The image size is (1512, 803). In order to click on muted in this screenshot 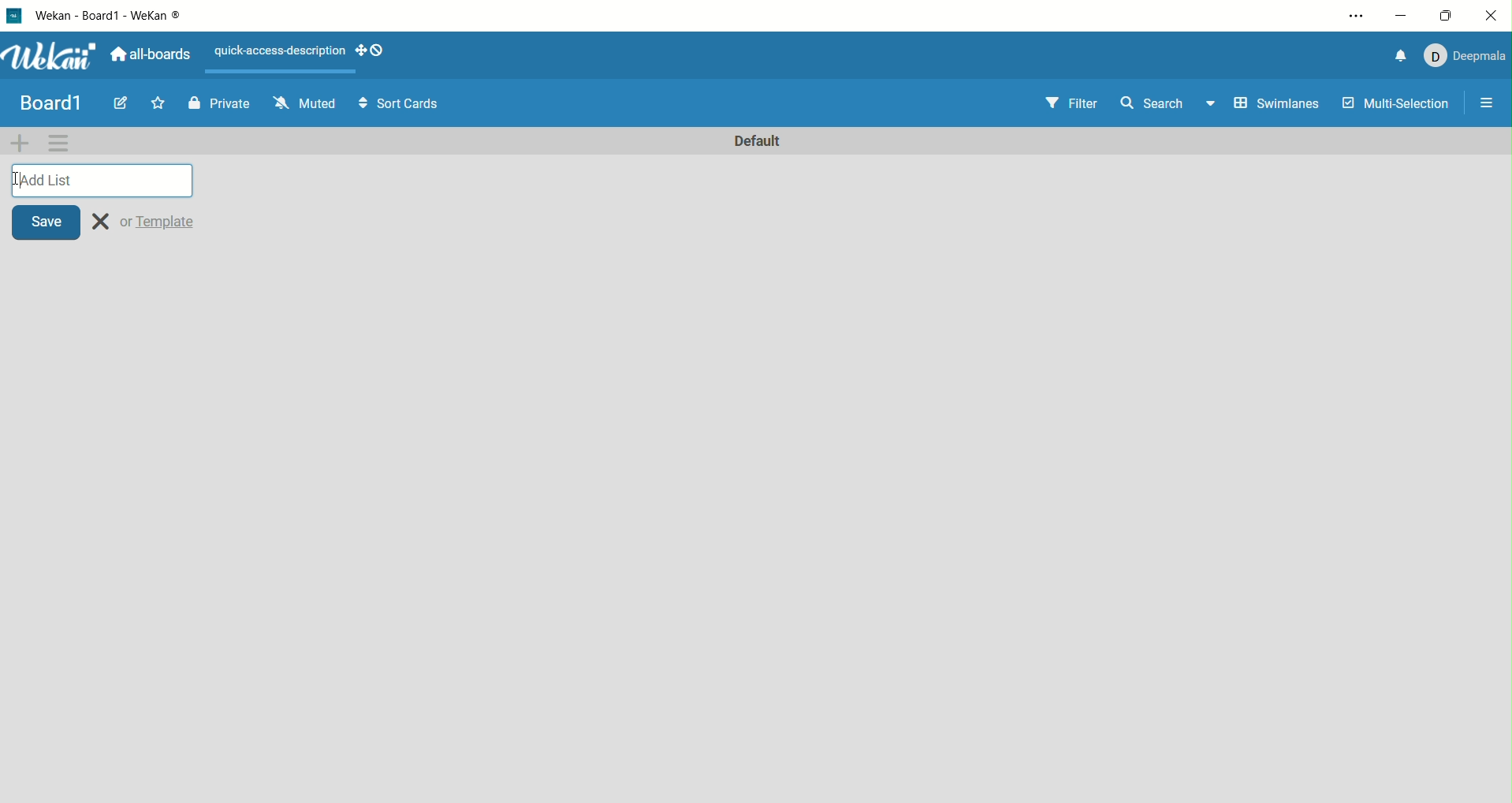, I will do `click(305, 102)`.